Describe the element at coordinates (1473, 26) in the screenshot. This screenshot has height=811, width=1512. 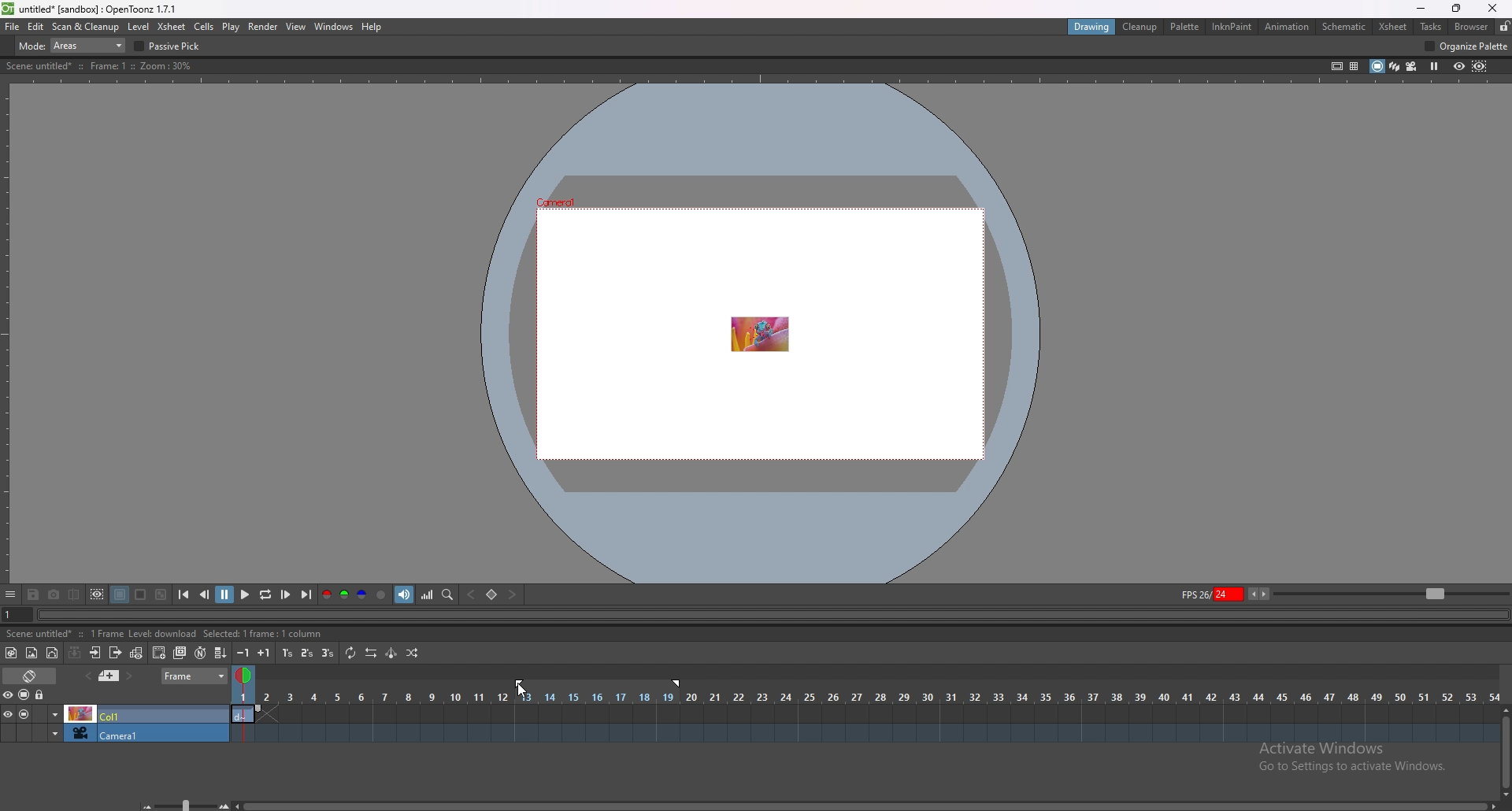
I see `browser` at that location.